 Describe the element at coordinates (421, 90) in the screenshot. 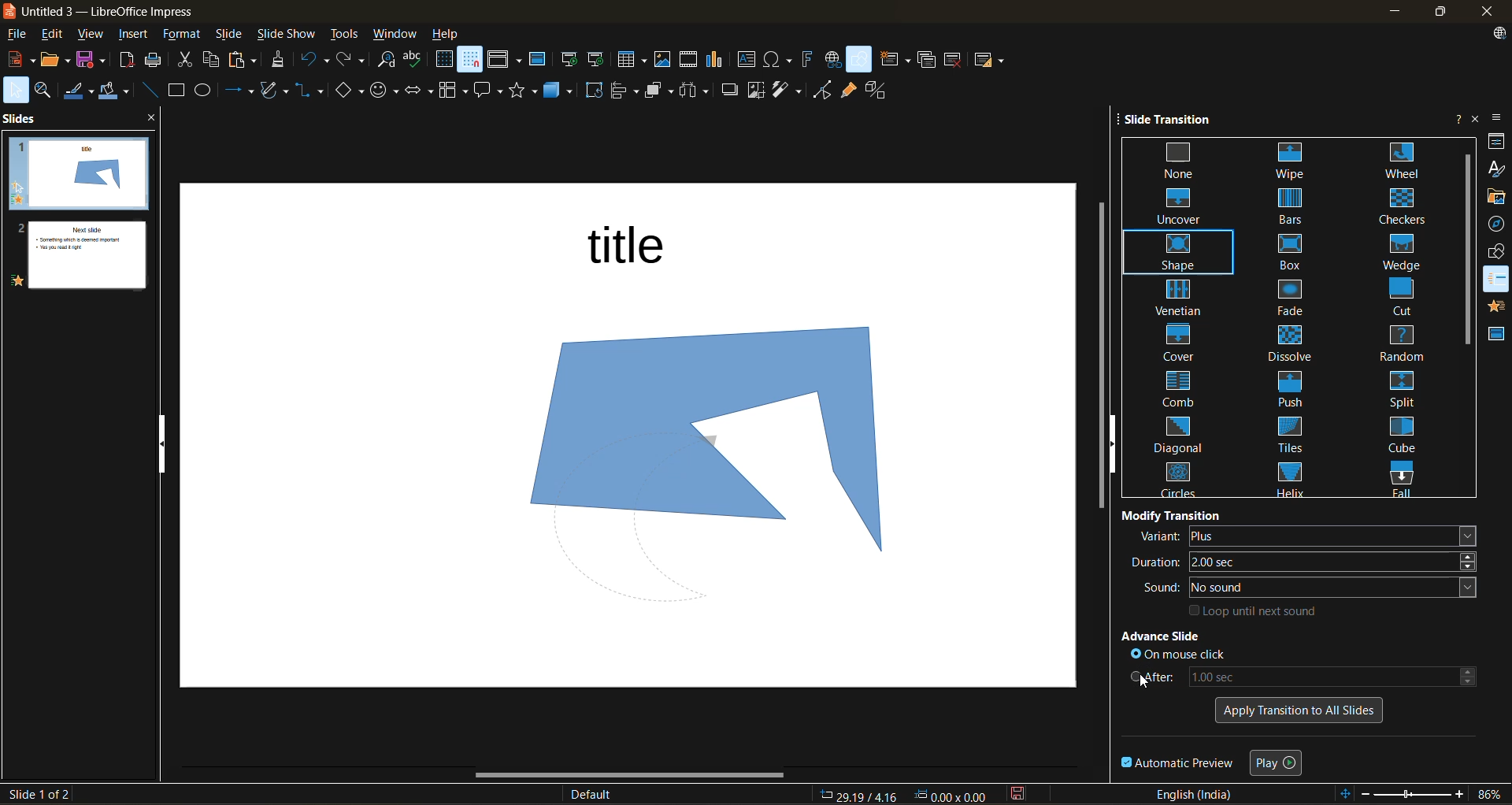

I see `block arrows` at that location.